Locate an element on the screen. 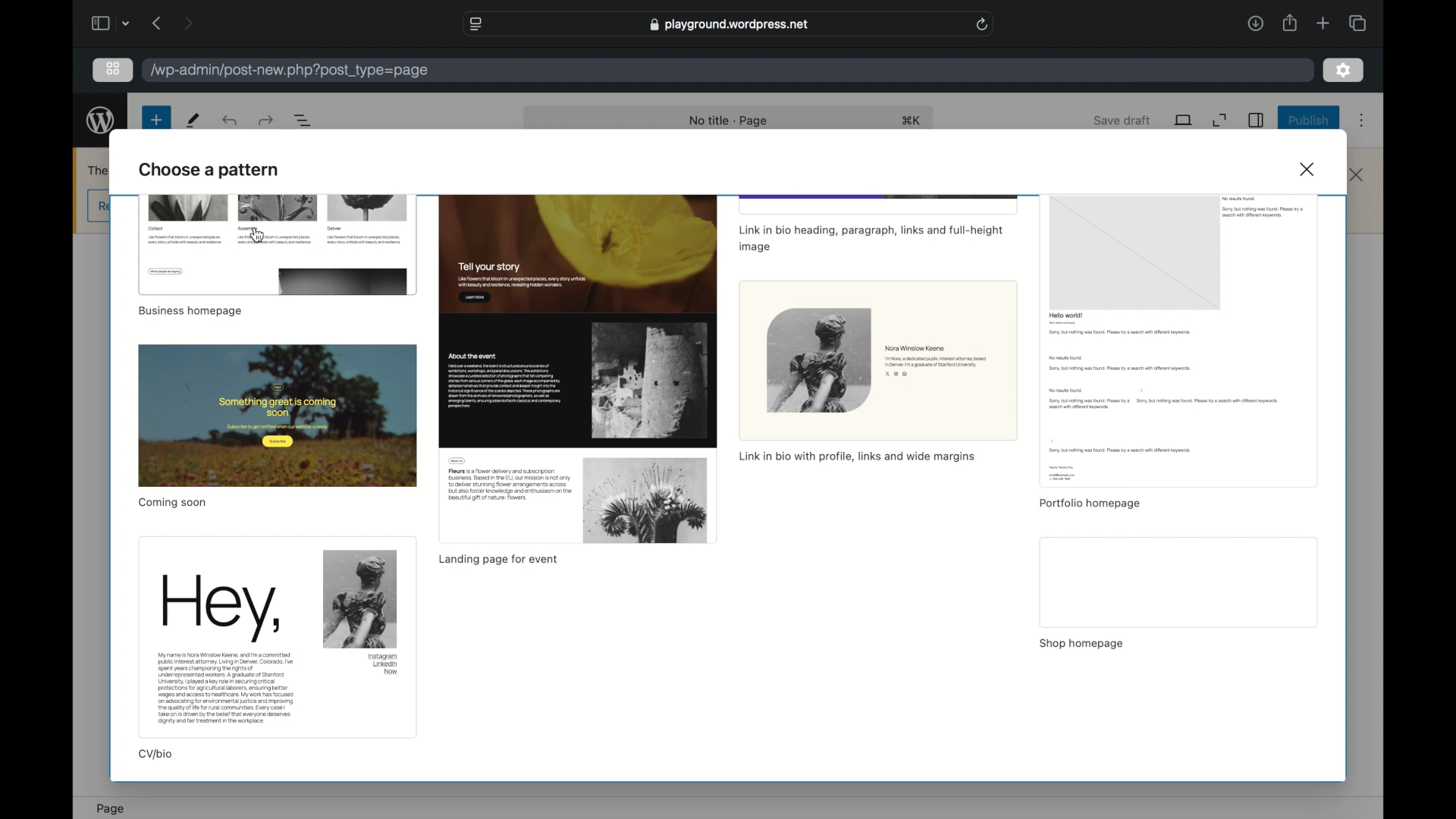 This screenshot has height=819, width=1456. share is located at coordinates (1291, 24).